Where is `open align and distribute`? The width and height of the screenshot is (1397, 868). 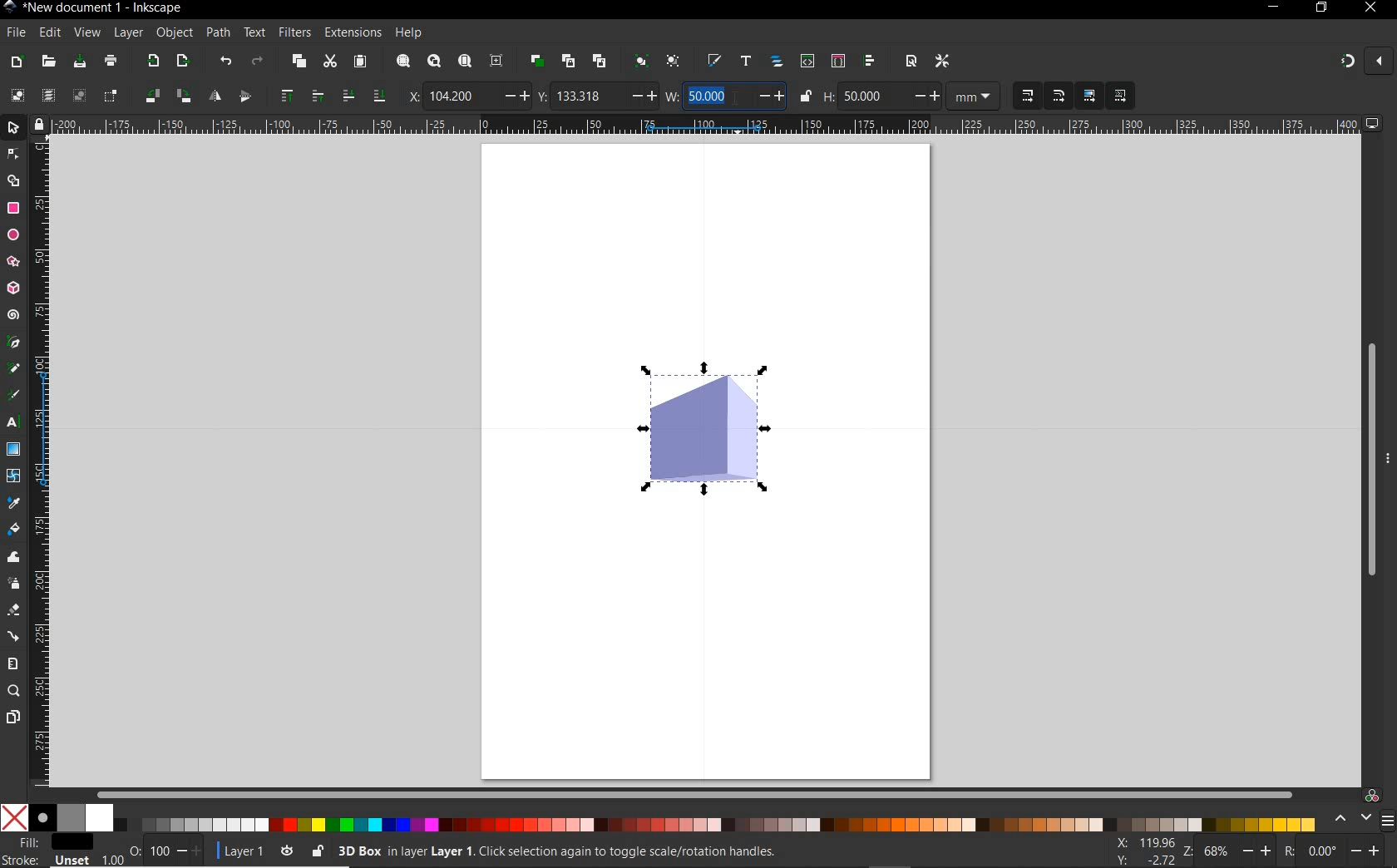 open align and distribute is located at coordinates (870, 61).